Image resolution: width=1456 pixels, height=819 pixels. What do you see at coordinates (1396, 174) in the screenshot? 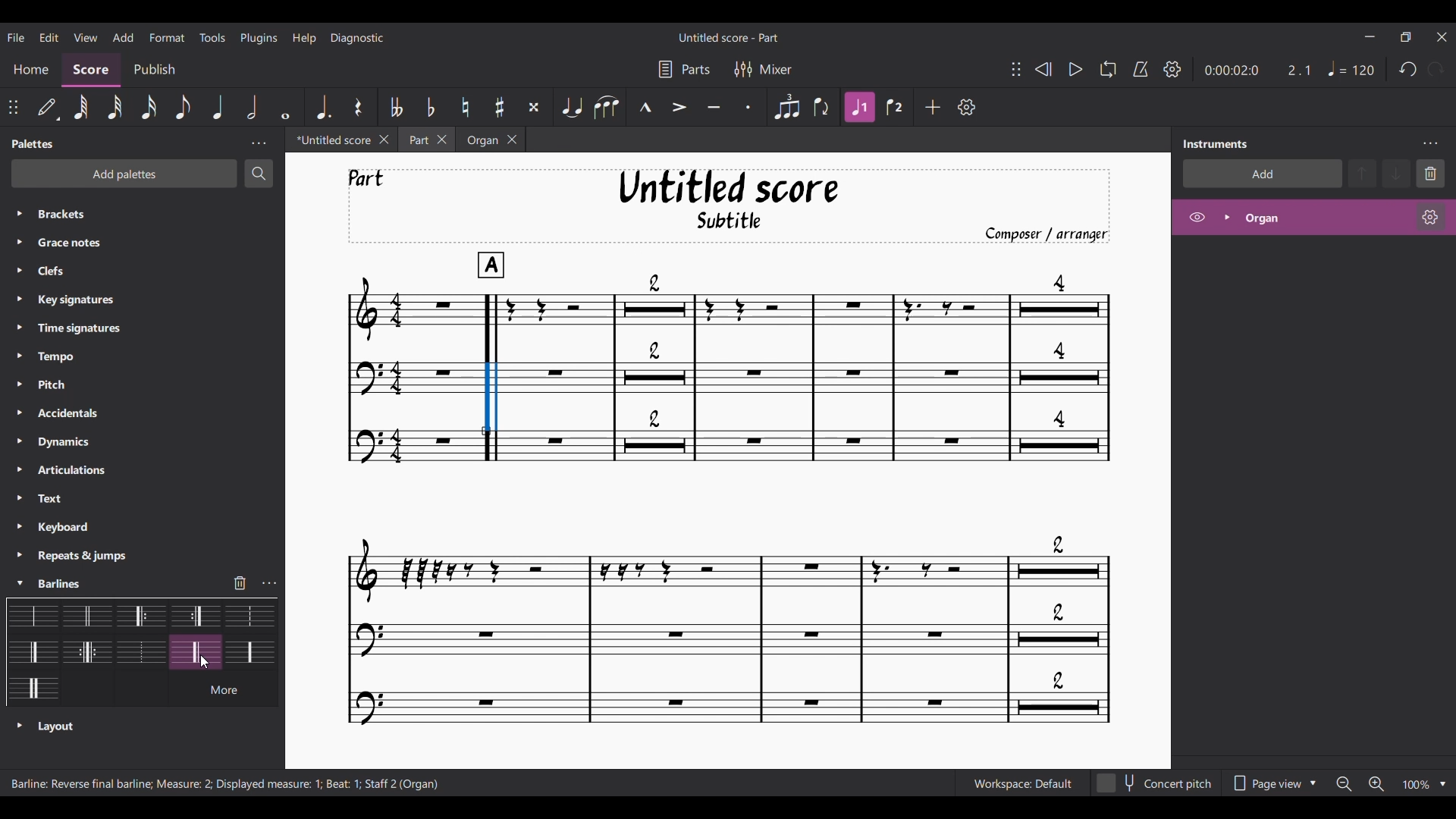
I see `Move selection down` at bounding box center [1396, 174].